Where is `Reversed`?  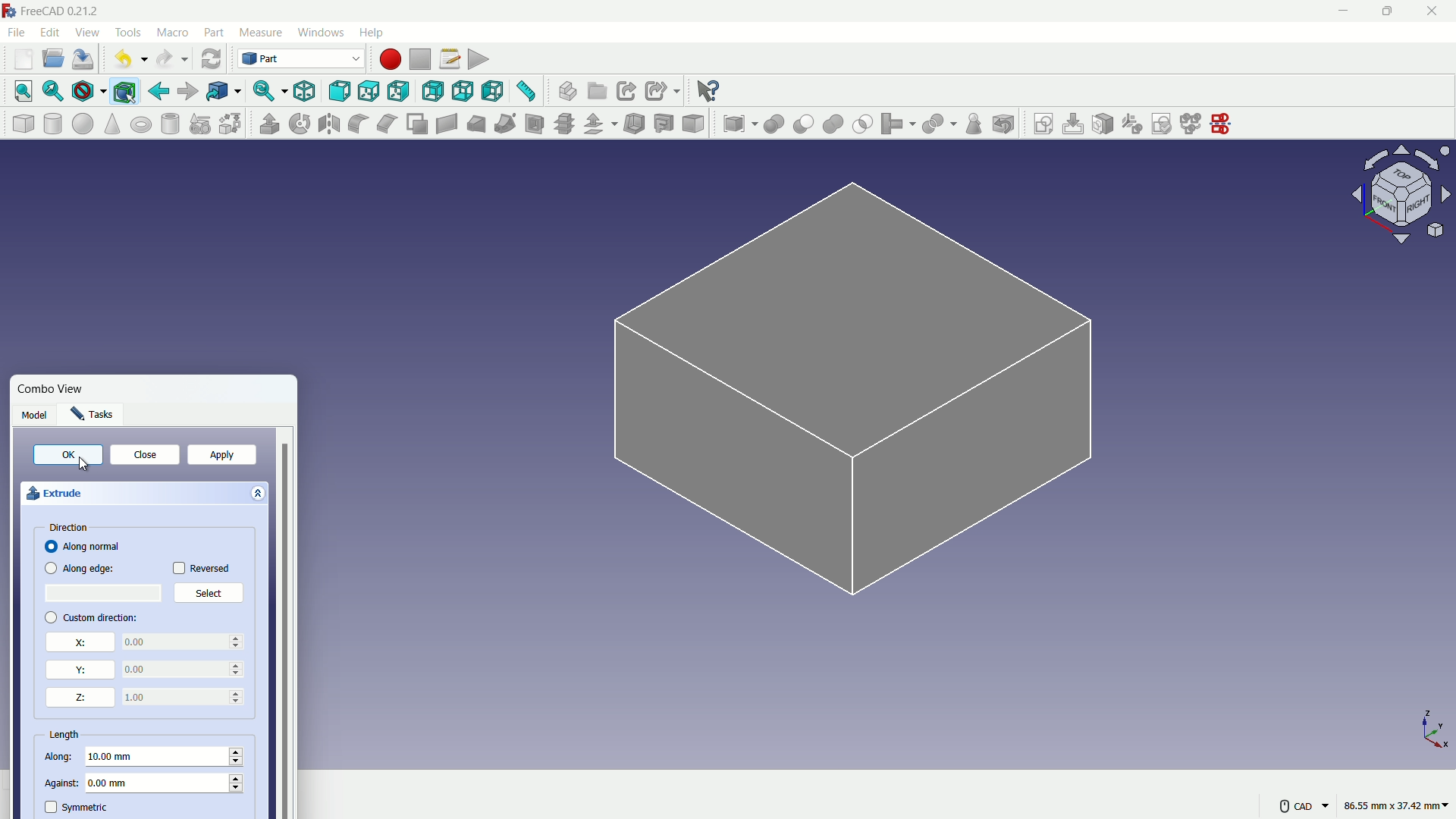
Reversed is located at coordinates (212, 568).